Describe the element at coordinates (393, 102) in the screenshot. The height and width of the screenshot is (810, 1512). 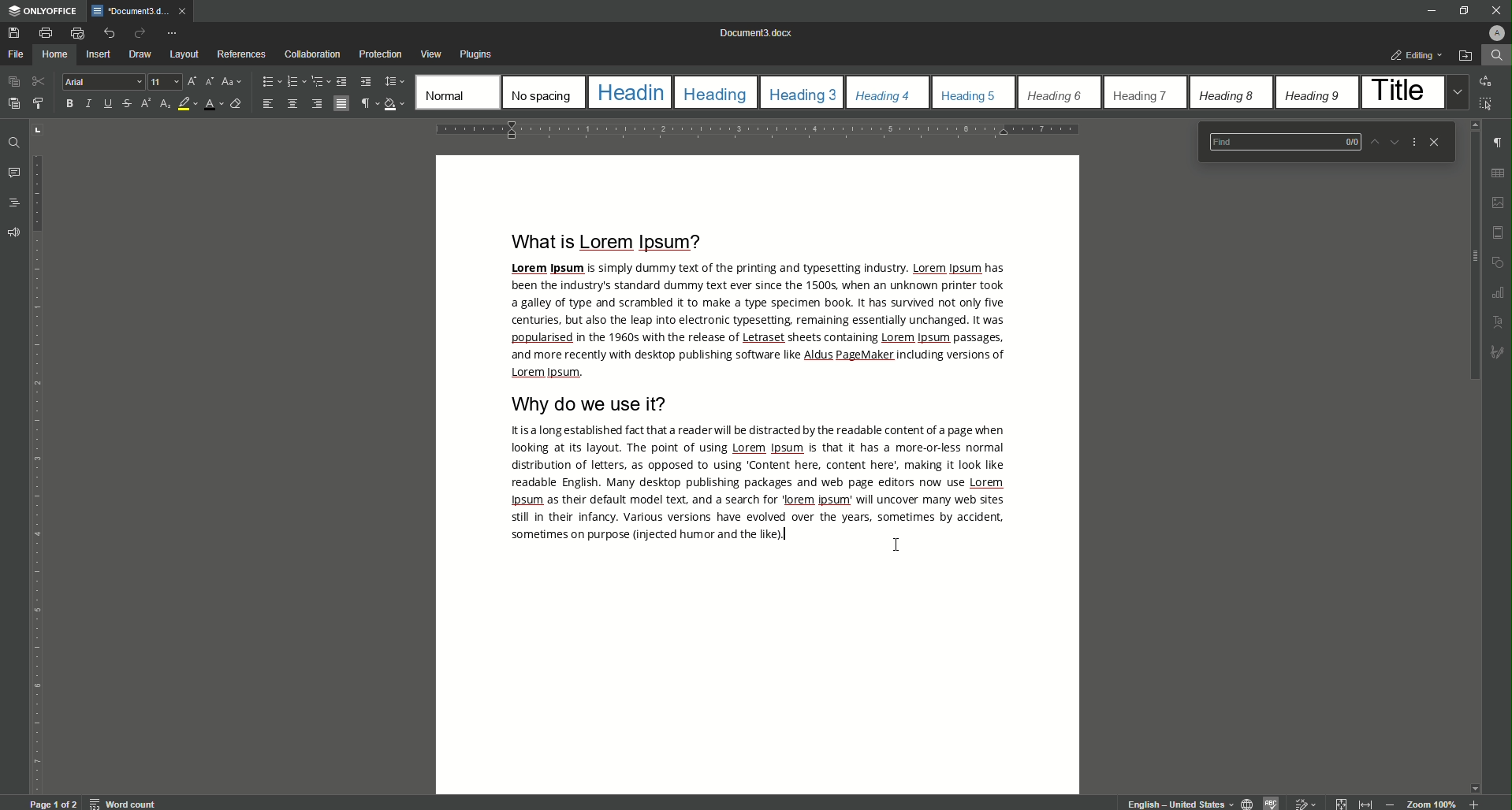
I see `Shading` at that location.